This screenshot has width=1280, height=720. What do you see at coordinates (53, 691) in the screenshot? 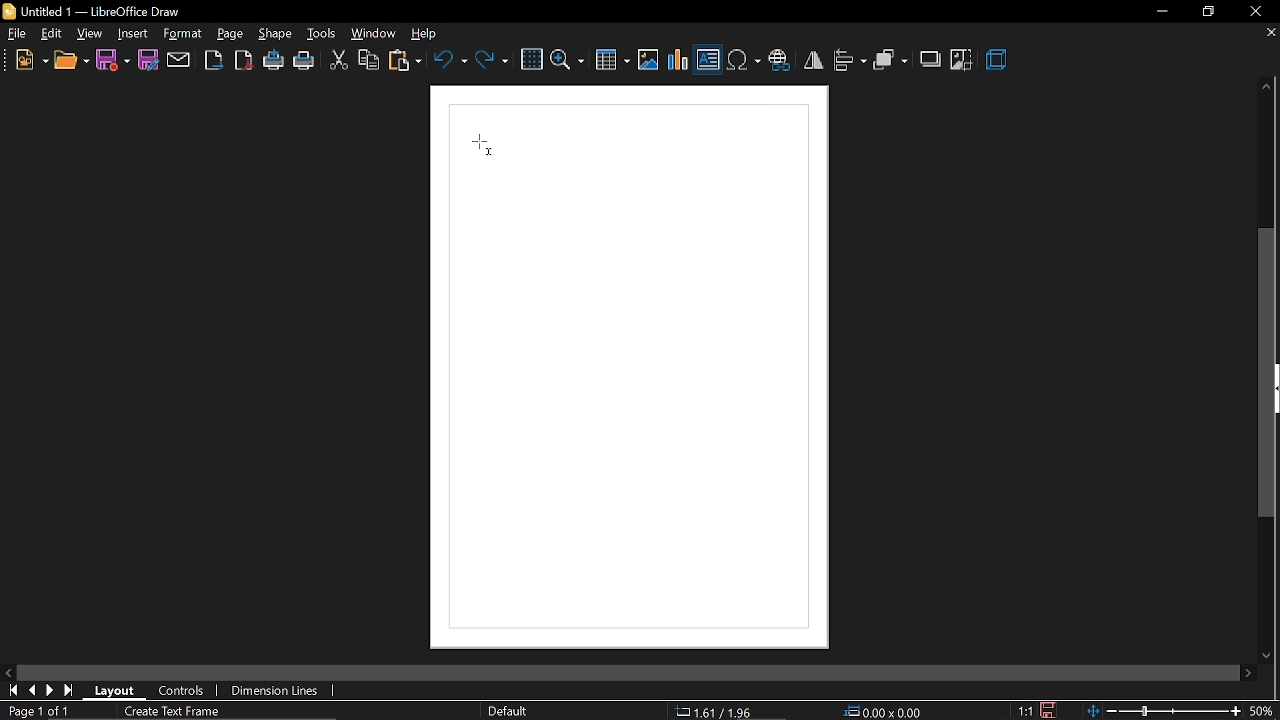
I see `go to last page` at bounding box center [53, 691].